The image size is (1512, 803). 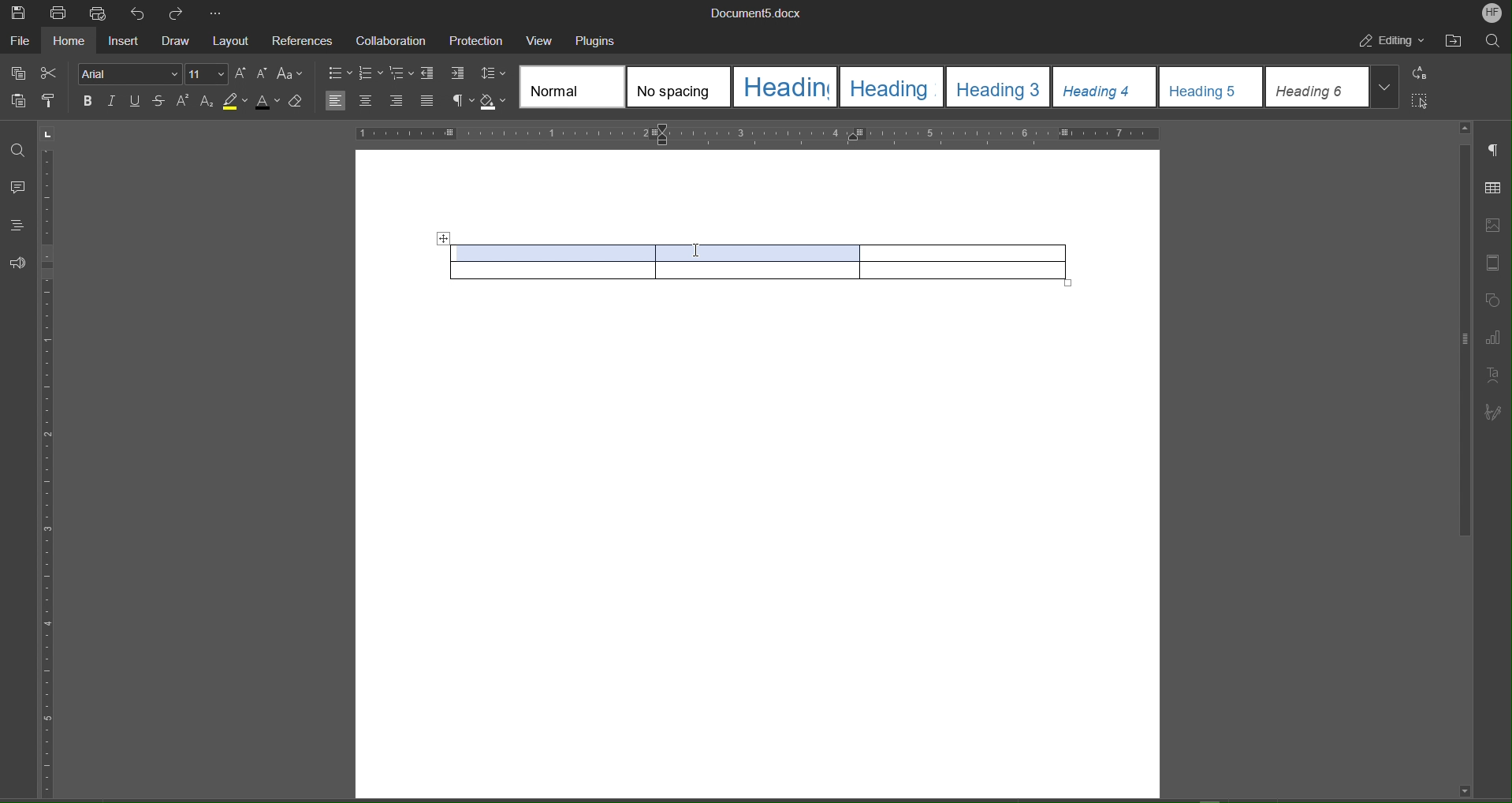 I want to click on Decrease Size, so click(x=262, y=74).